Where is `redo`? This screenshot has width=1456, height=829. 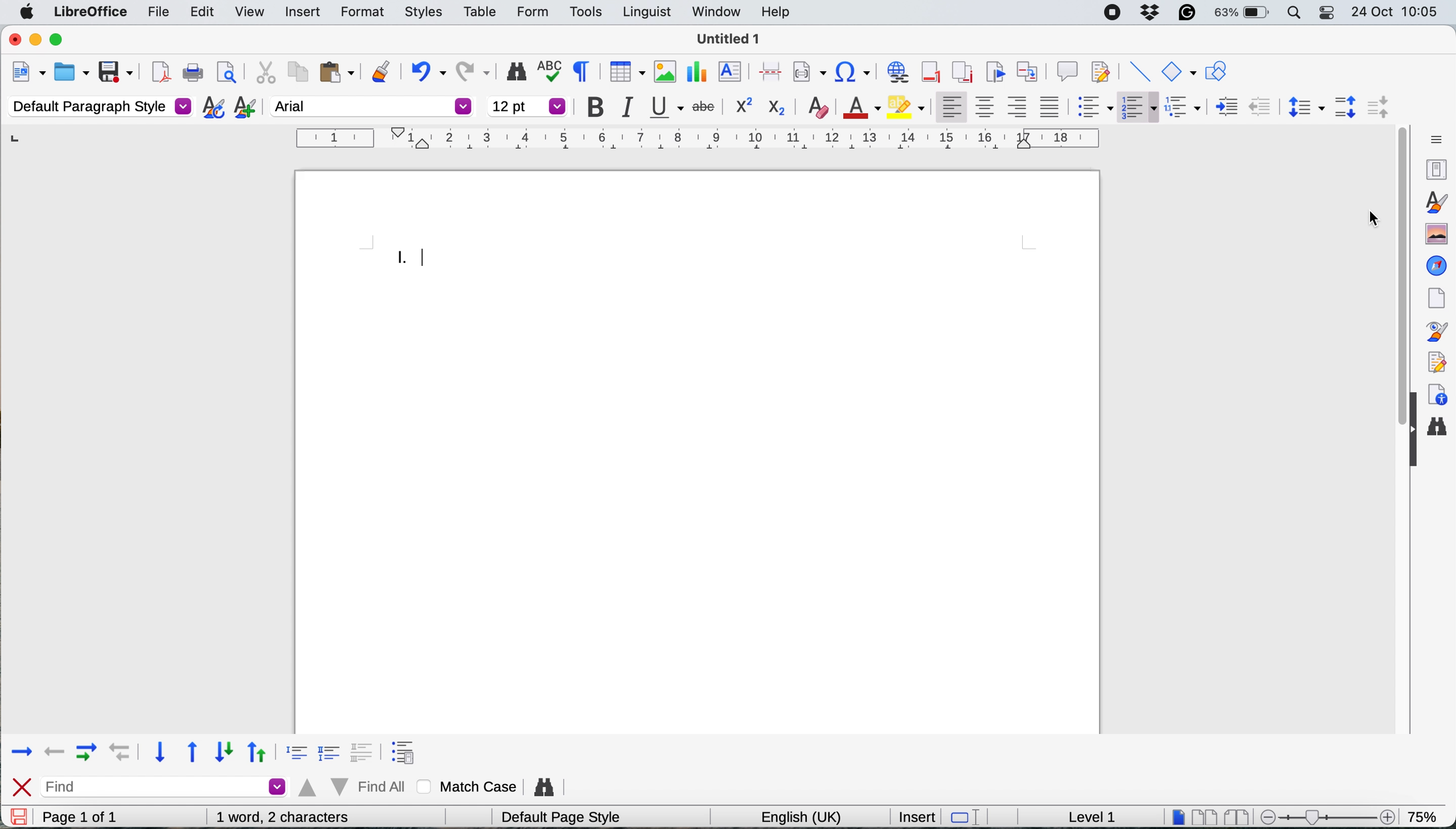 redo is located at coordinates (474, 68).